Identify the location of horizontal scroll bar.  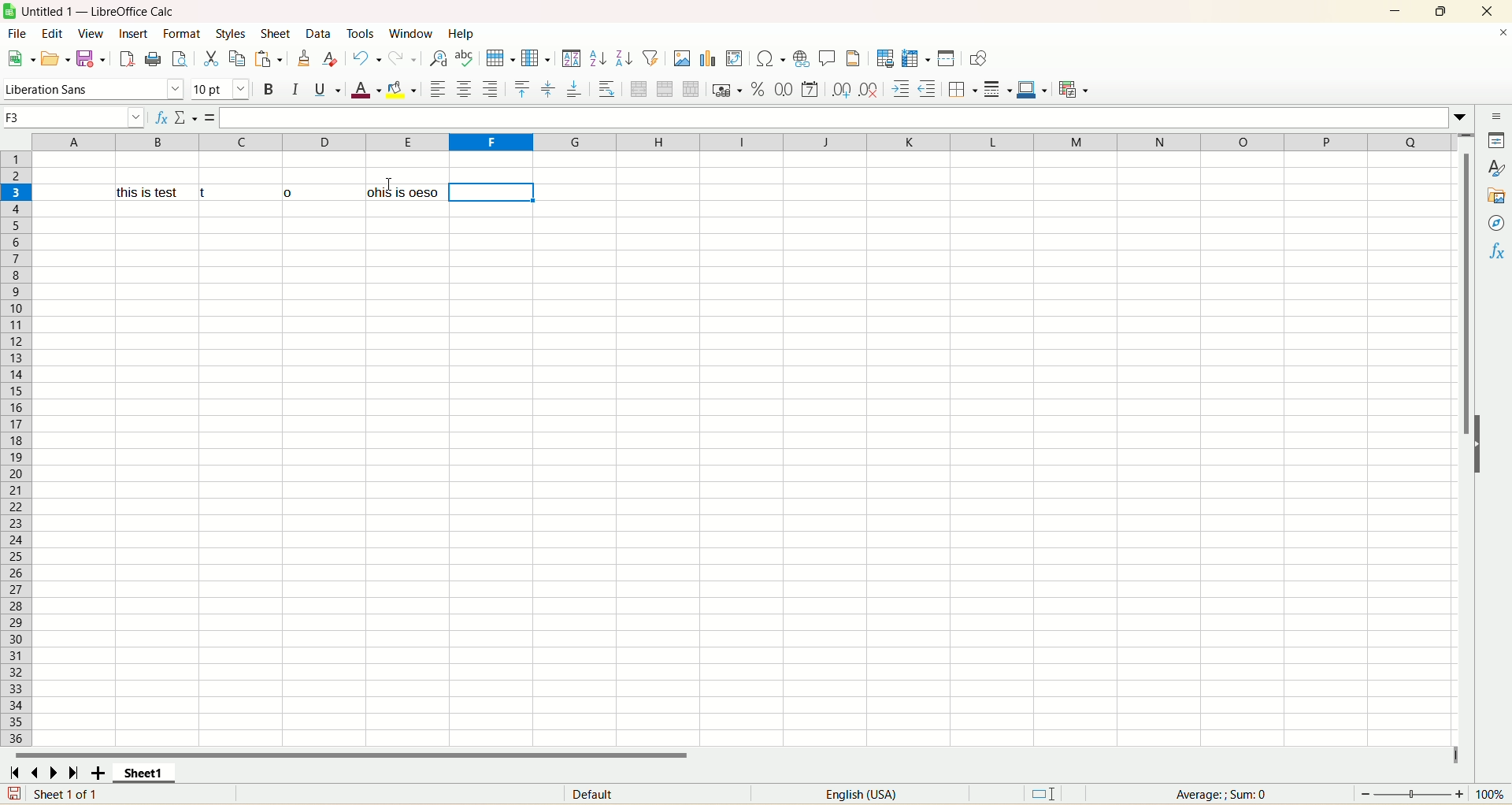
(734, 751).